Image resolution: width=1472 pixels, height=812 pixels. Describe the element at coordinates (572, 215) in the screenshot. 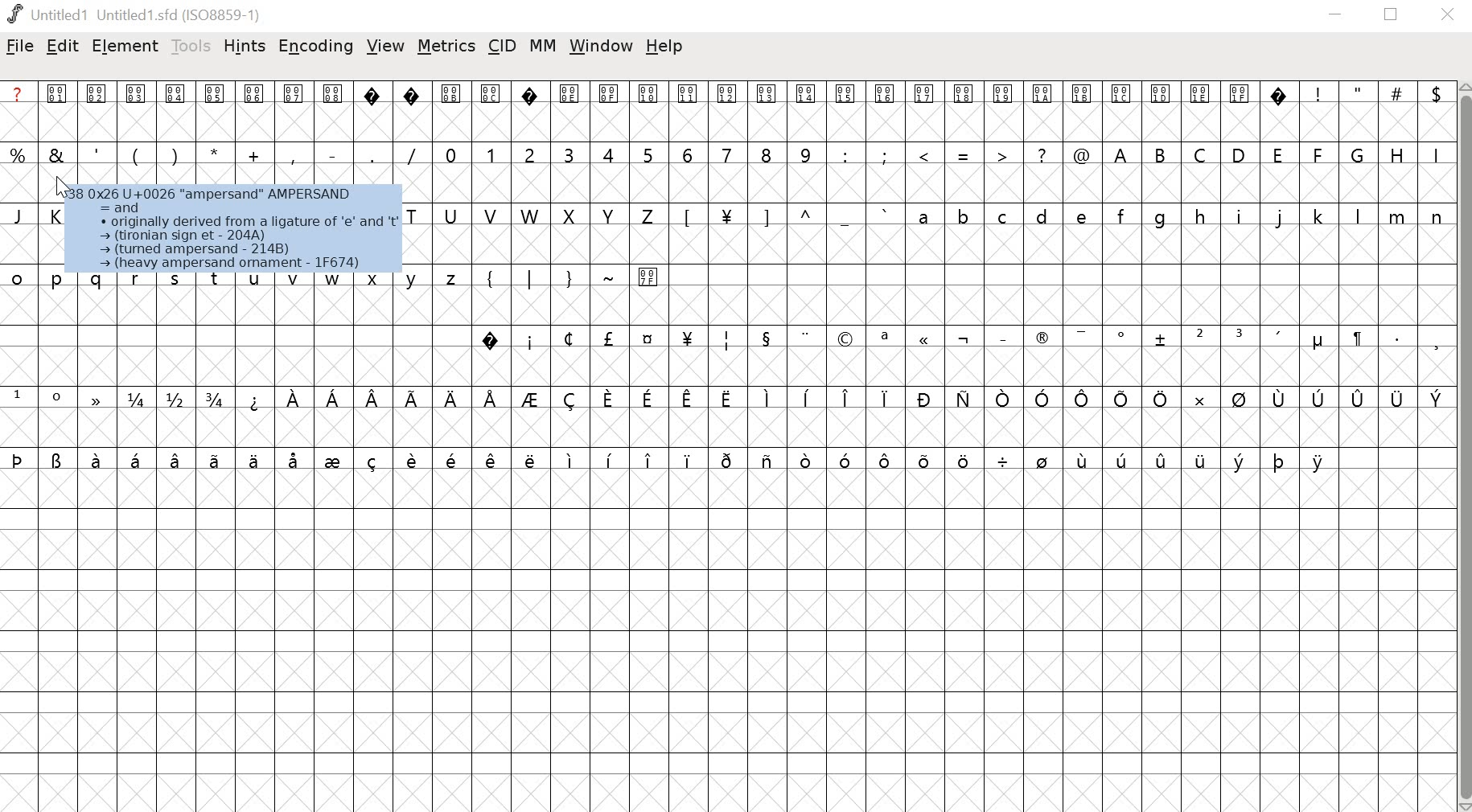

I see `X` at that location.